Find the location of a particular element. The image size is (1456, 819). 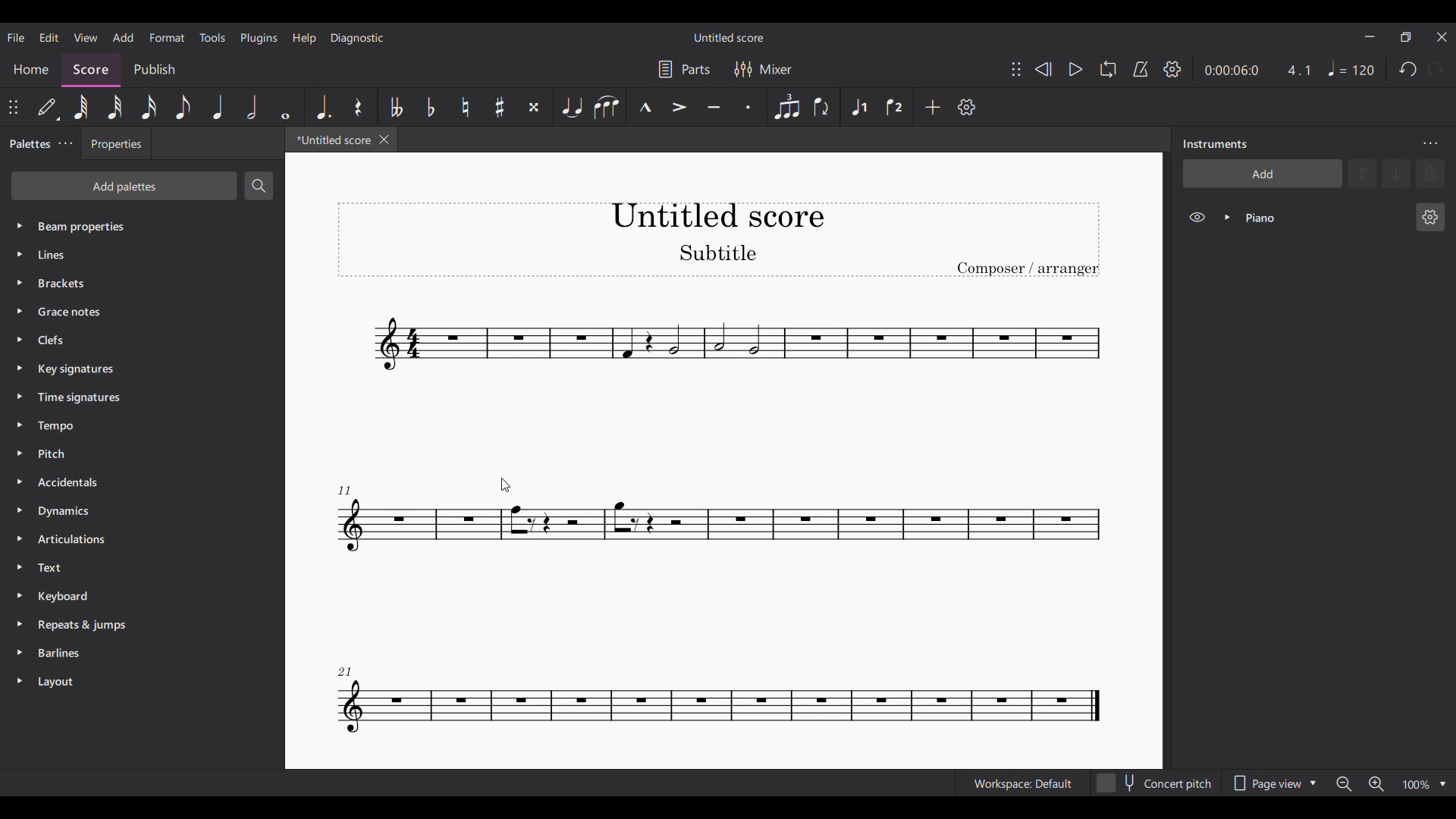

Current instrument is located at coordinates (1324, 218).